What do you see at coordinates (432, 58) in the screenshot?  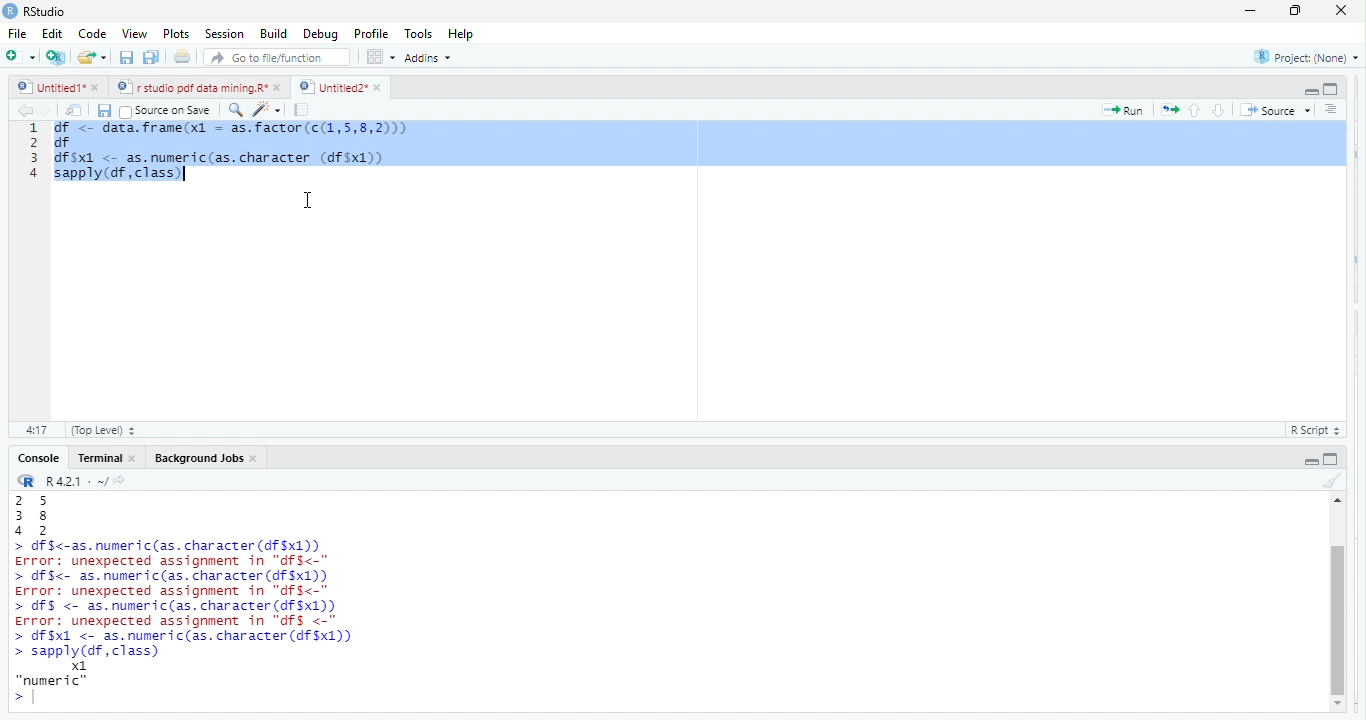 I see ` Addins` at bounding box center [432, 58].